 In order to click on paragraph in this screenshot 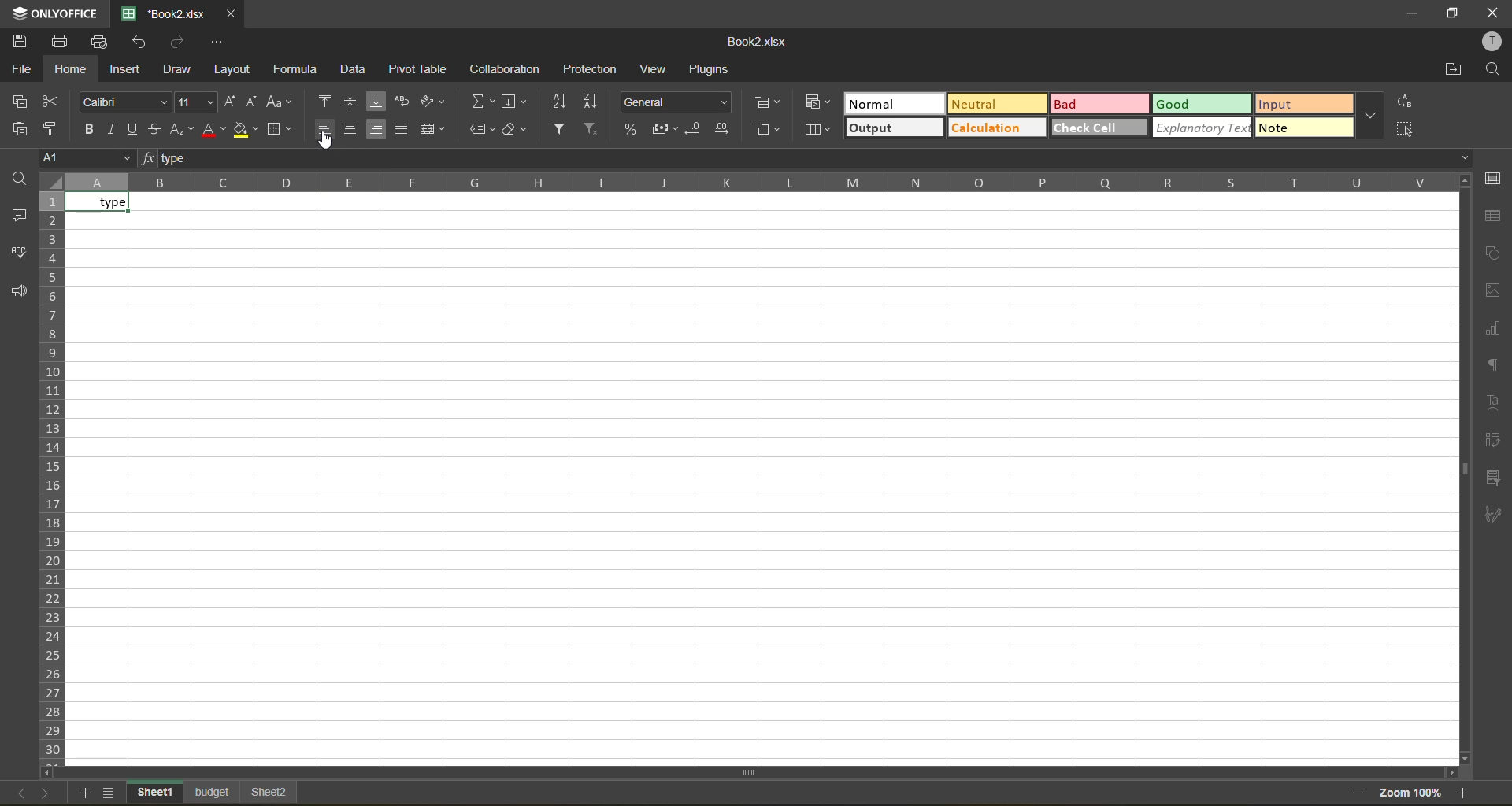, I will do `click(1494, 365)`.